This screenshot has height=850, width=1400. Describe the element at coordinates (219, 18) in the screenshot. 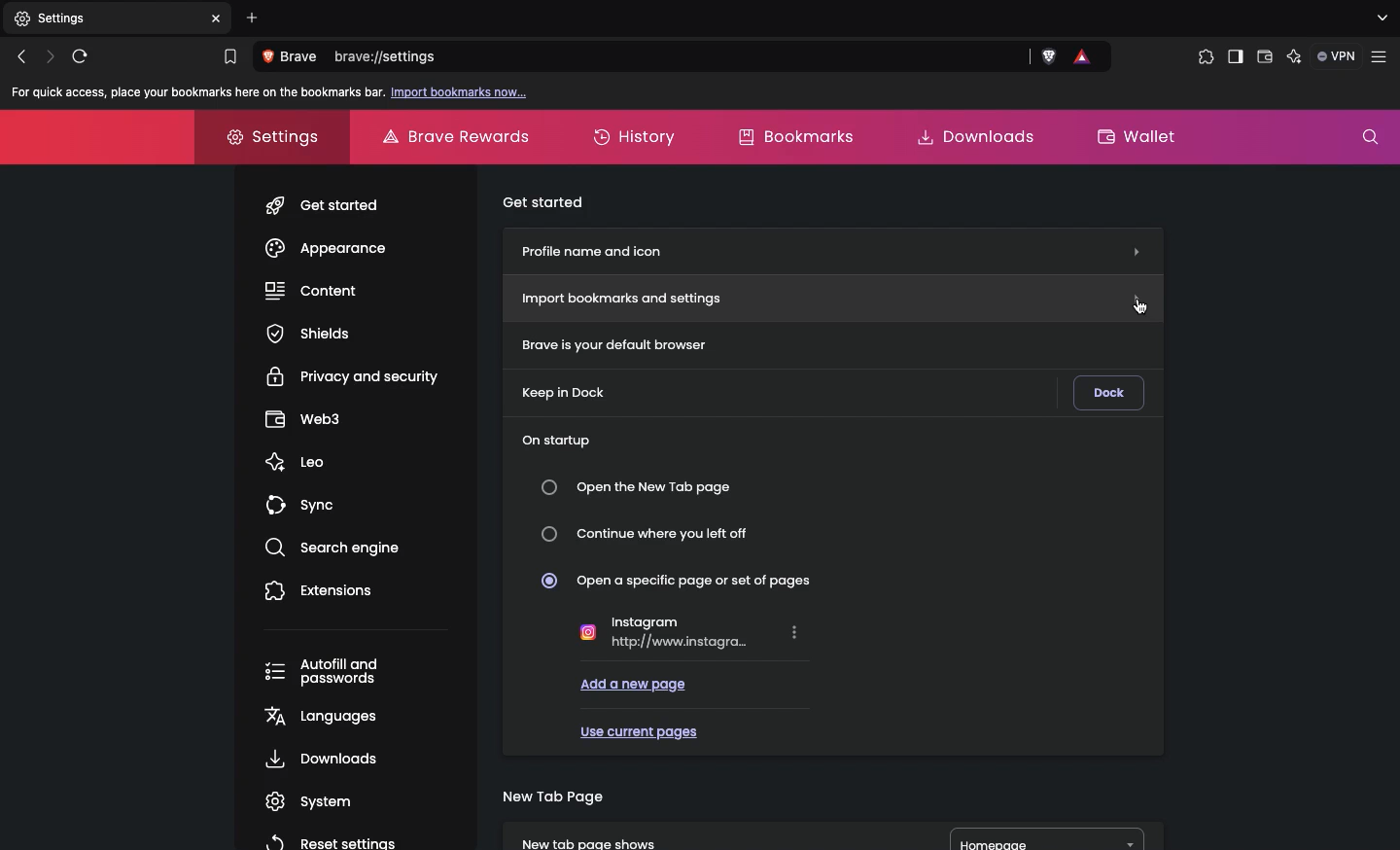

I see `` at that location.